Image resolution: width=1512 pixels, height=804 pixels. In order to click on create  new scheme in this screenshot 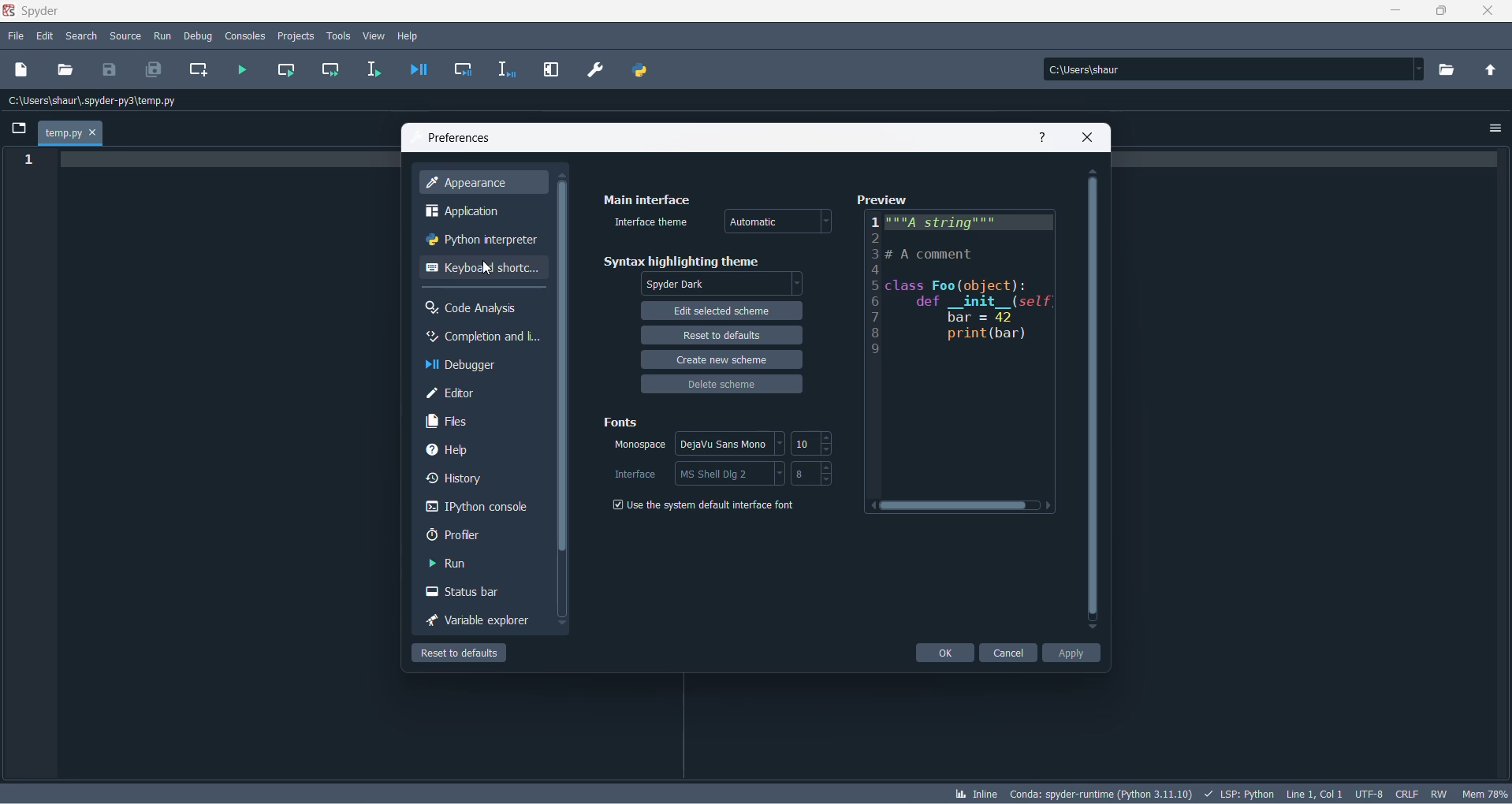, I will do `click(723, 361)`.